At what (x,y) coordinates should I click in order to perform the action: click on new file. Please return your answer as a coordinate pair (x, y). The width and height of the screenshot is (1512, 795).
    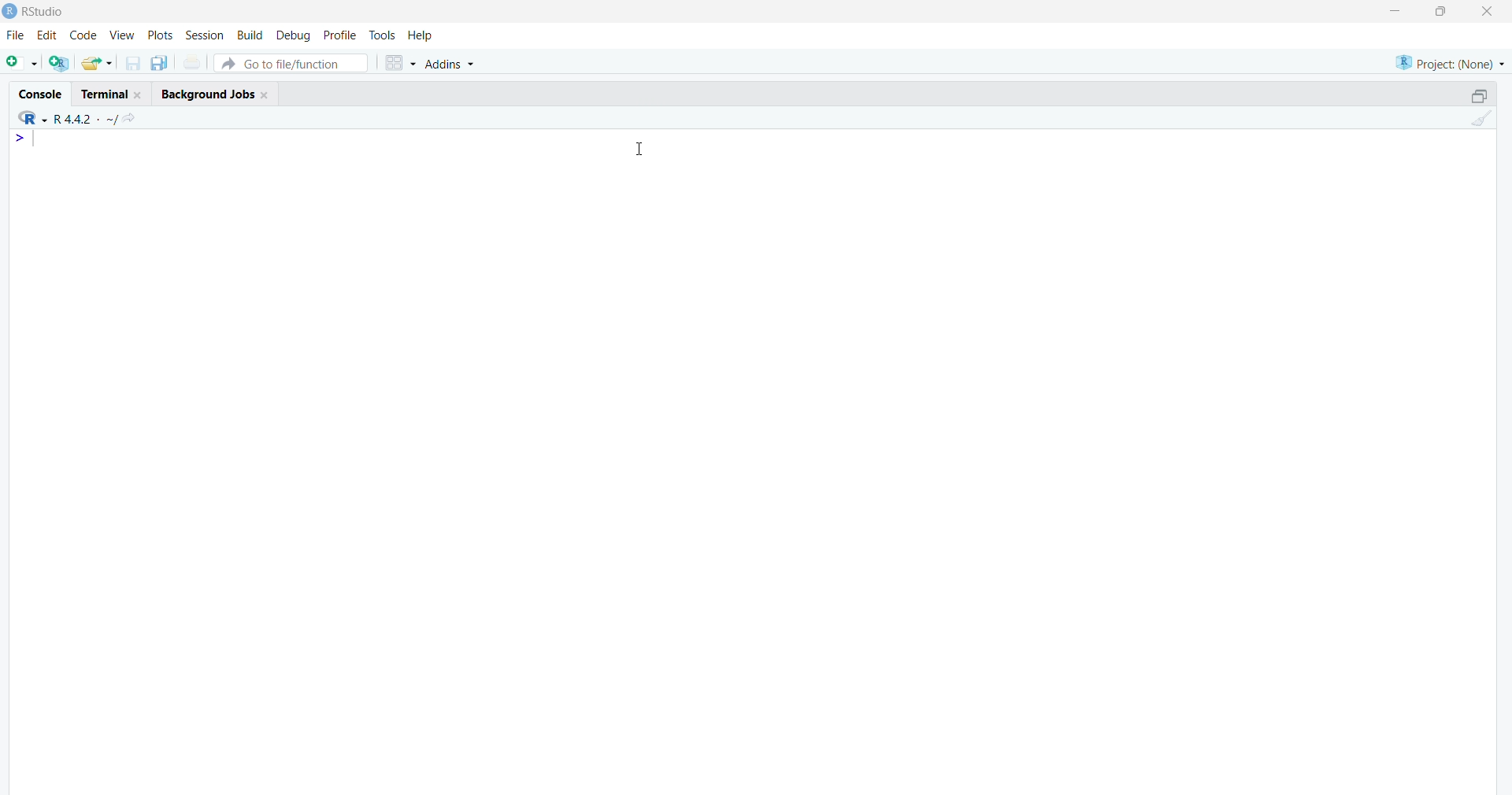
    Looking at the image, I should click on (21, 61).